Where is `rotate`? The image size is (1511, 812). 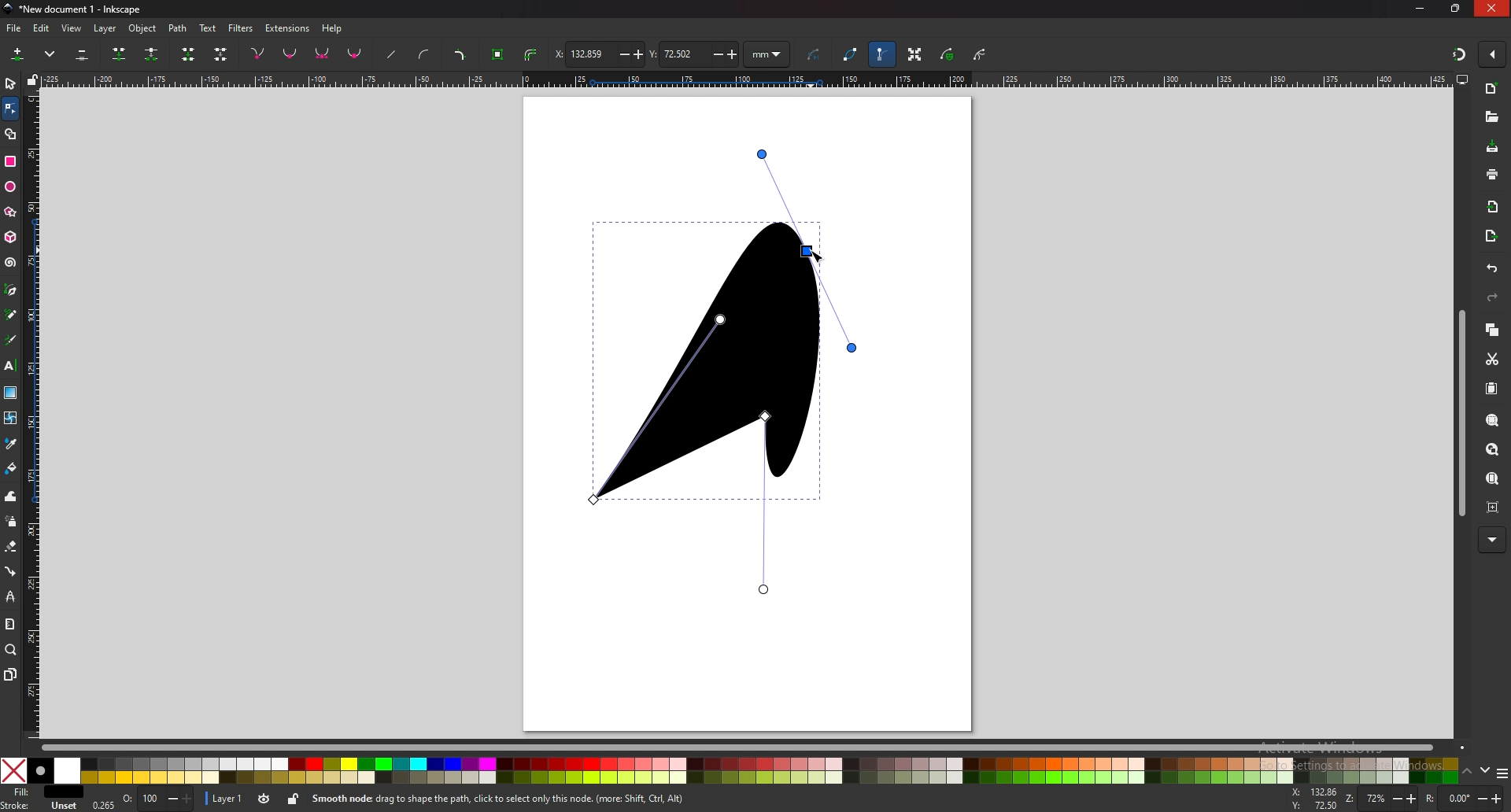 rotate is located at coordinates (1465, 798).